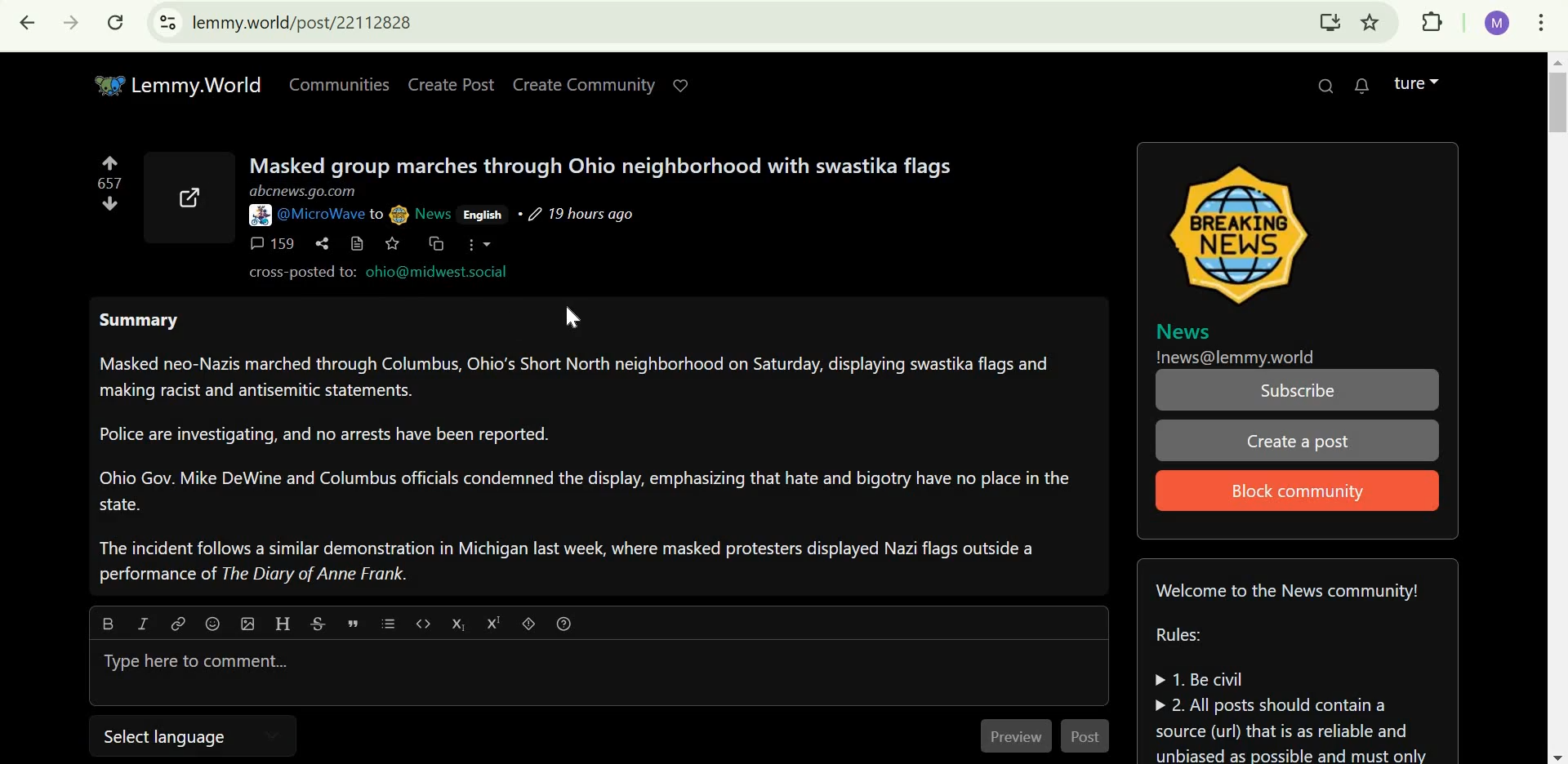  Describe the element at coordinates (359, 242) in the screenshot. I see `view source` at that location.